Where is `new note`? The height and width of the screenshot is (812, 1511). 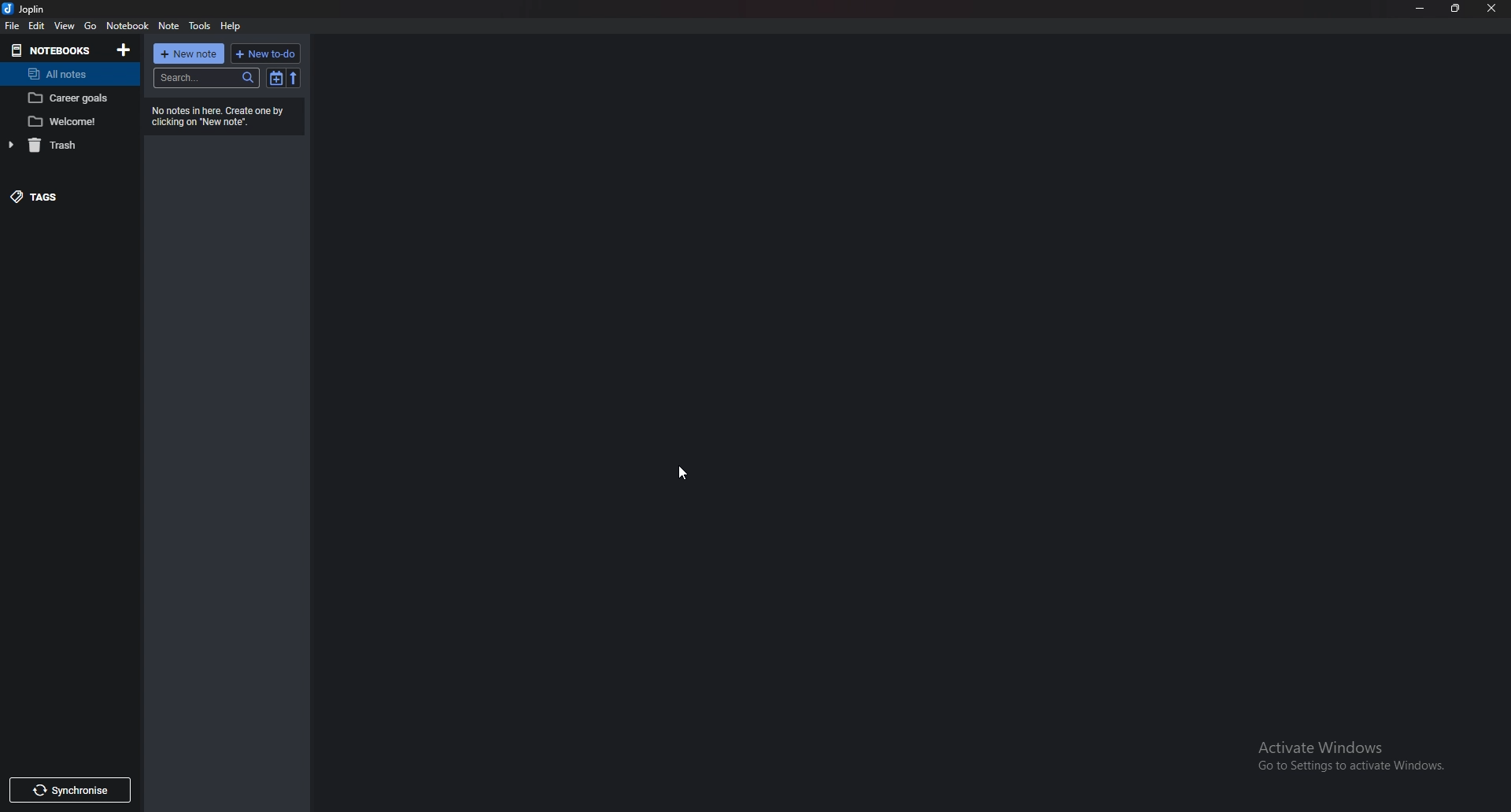
new note is located at coordinates (187, 54).